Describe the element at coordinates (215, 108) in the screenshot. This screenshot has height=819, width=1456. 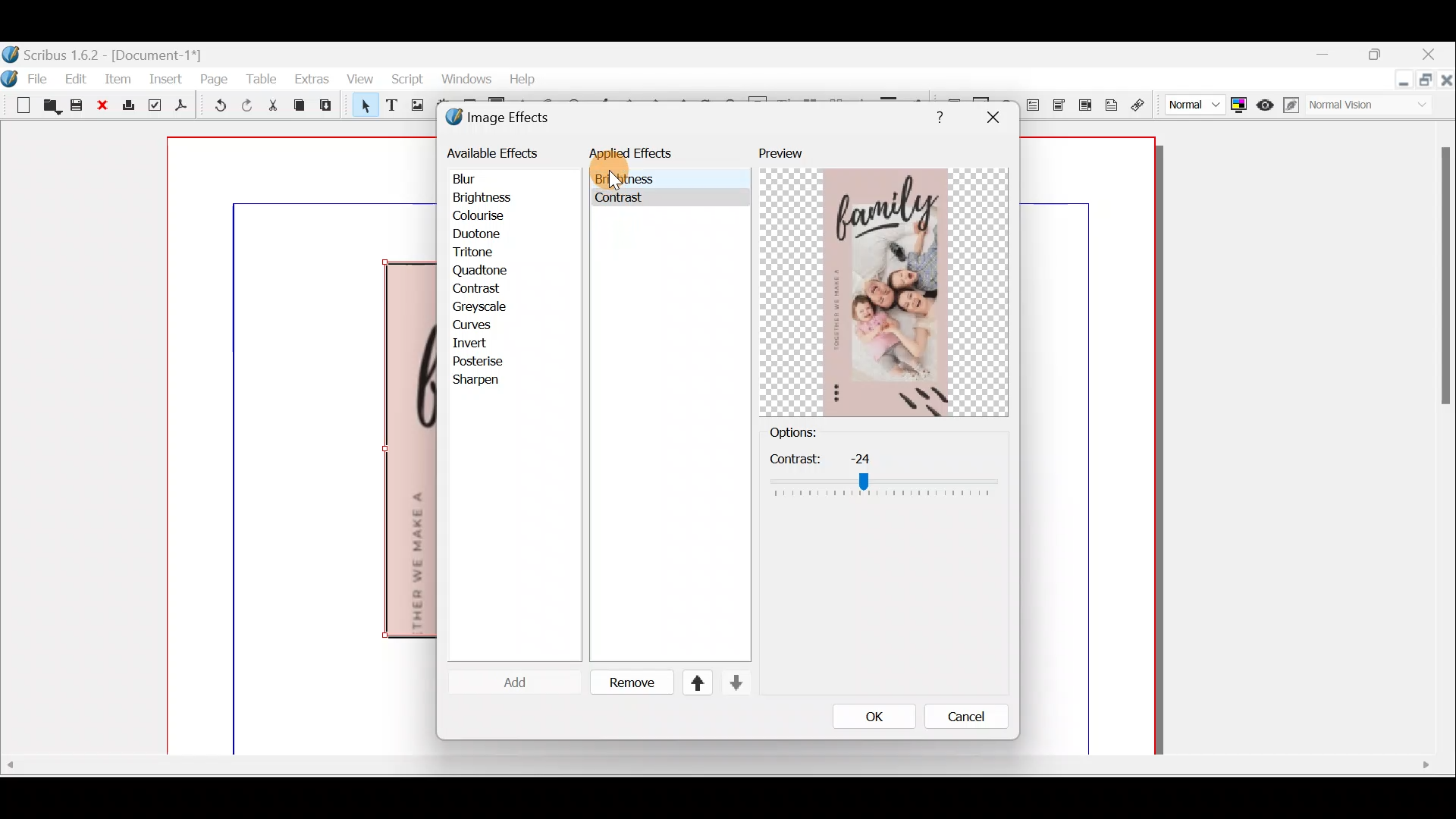
I see `Undo` at that location.